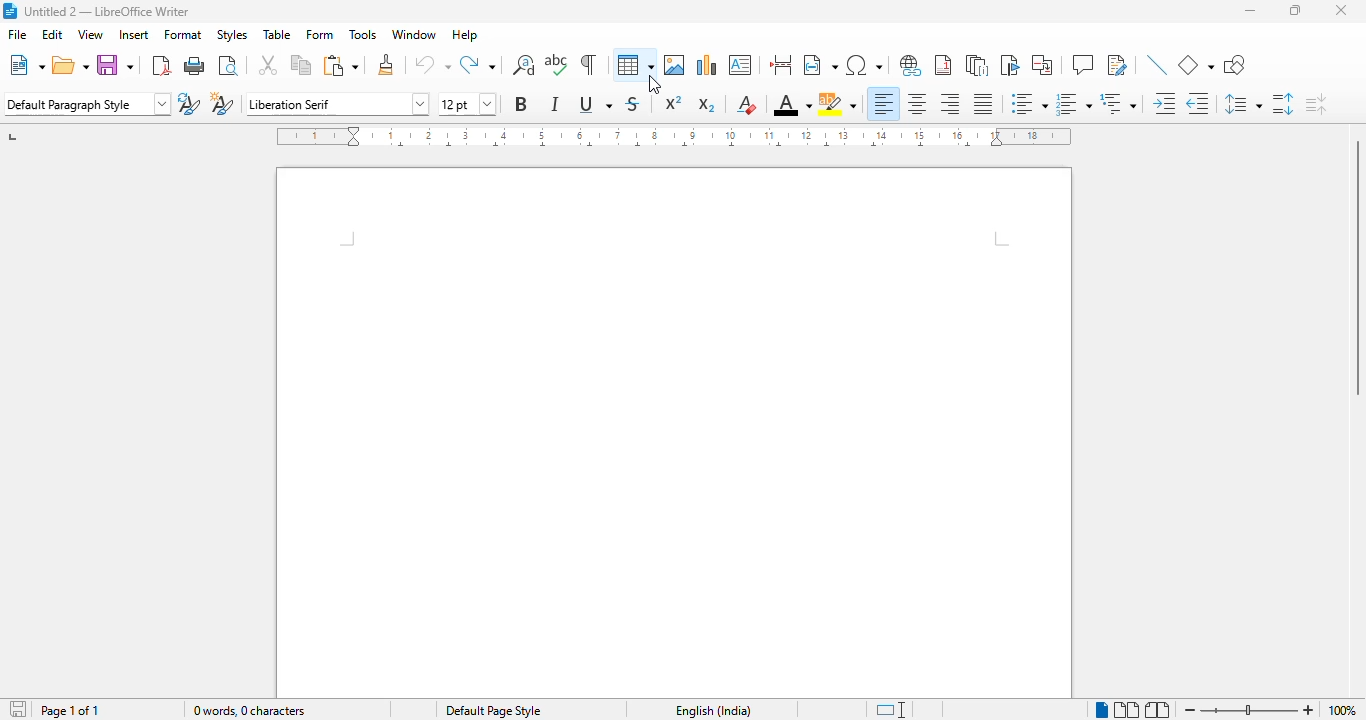 The width and height of the screenshot is (1366, 720). What do you see at coordinates (983, 104) in the screenshot?
I see `justified` at bounding box center [983, 104].